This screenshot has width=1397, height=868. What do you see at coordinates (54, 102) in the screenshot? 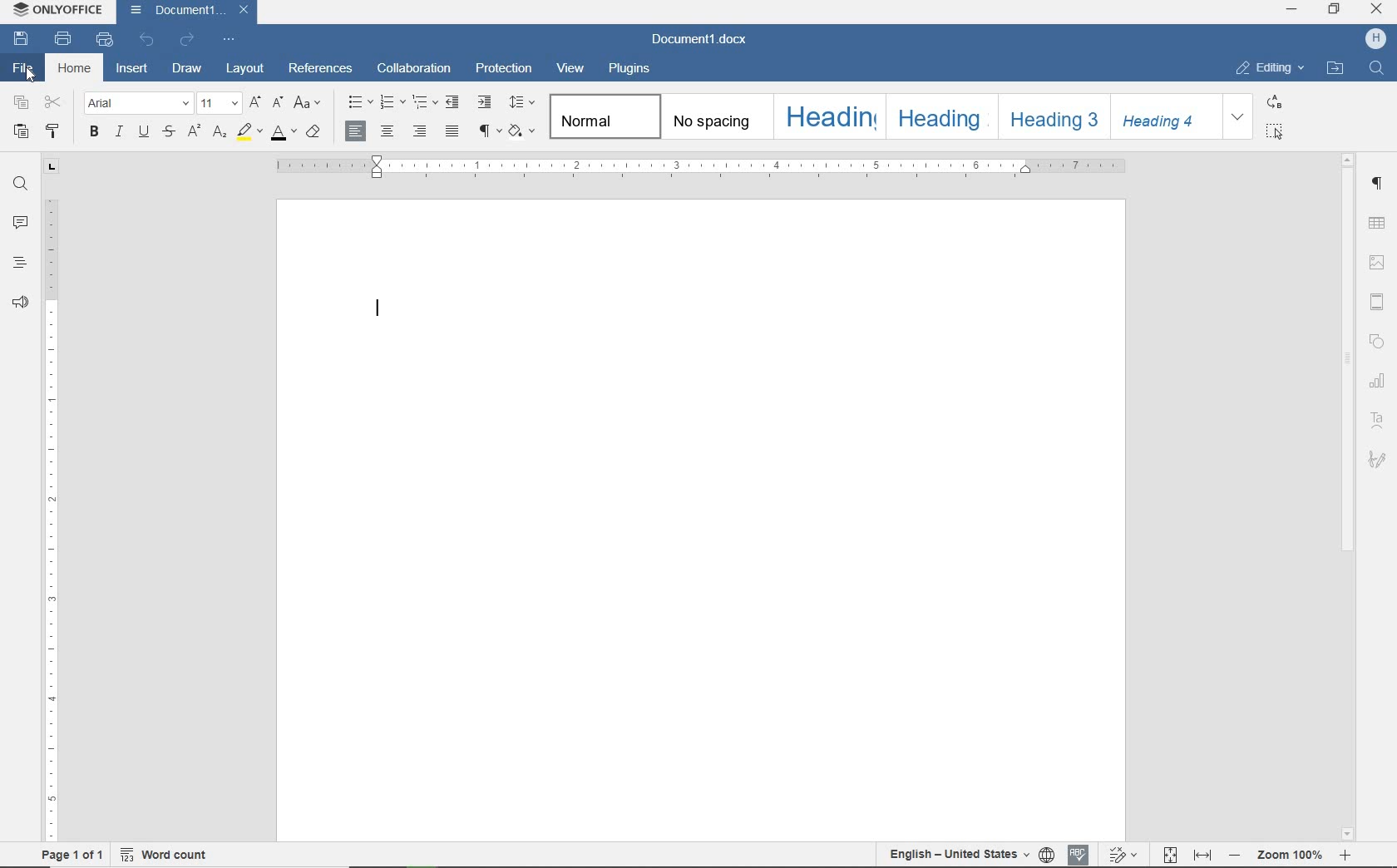
I see `cut` at bounding box center [54, 102].